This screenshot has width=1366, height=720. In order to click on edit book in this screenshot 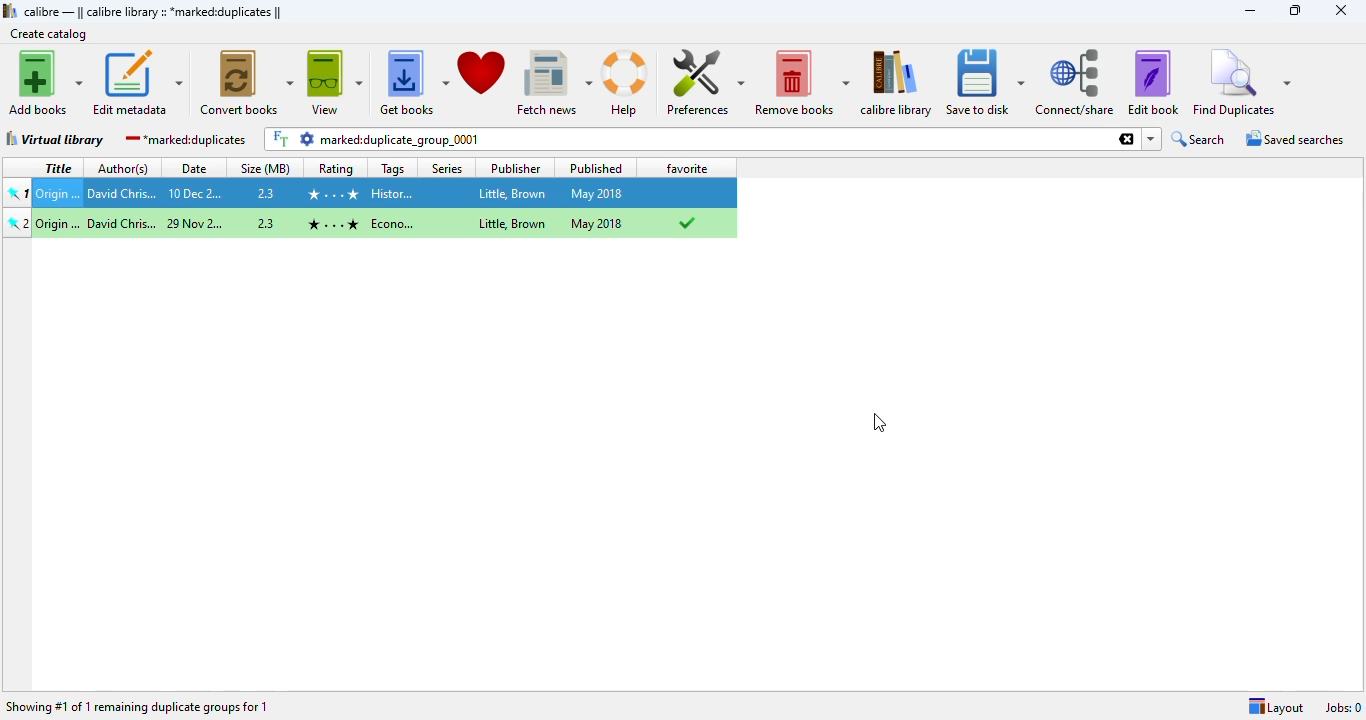, I will do `click(1154, 83)`.